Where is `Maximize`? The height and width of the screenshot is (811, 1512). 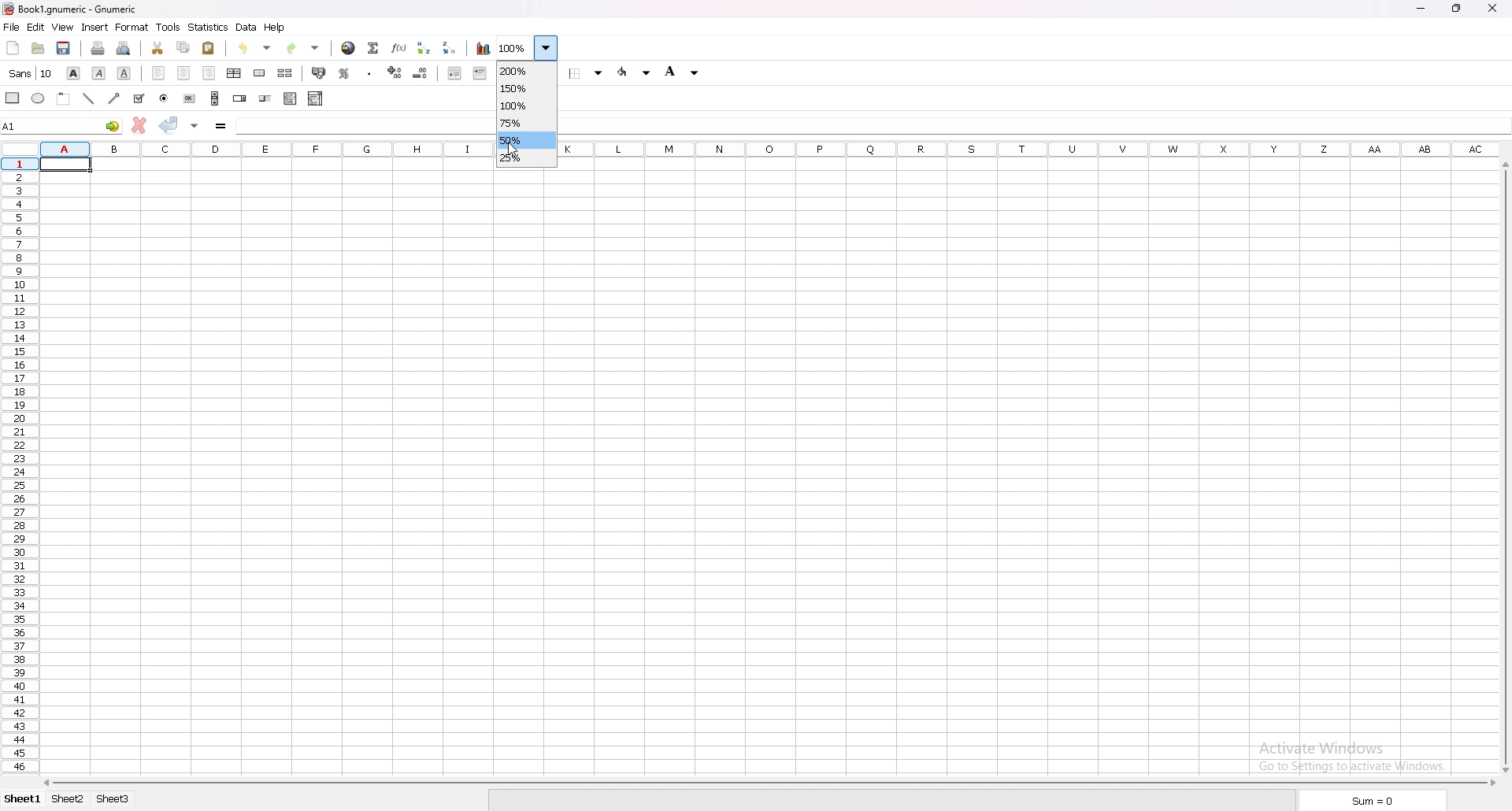
Maximize is located at coordinates (1456, 9).